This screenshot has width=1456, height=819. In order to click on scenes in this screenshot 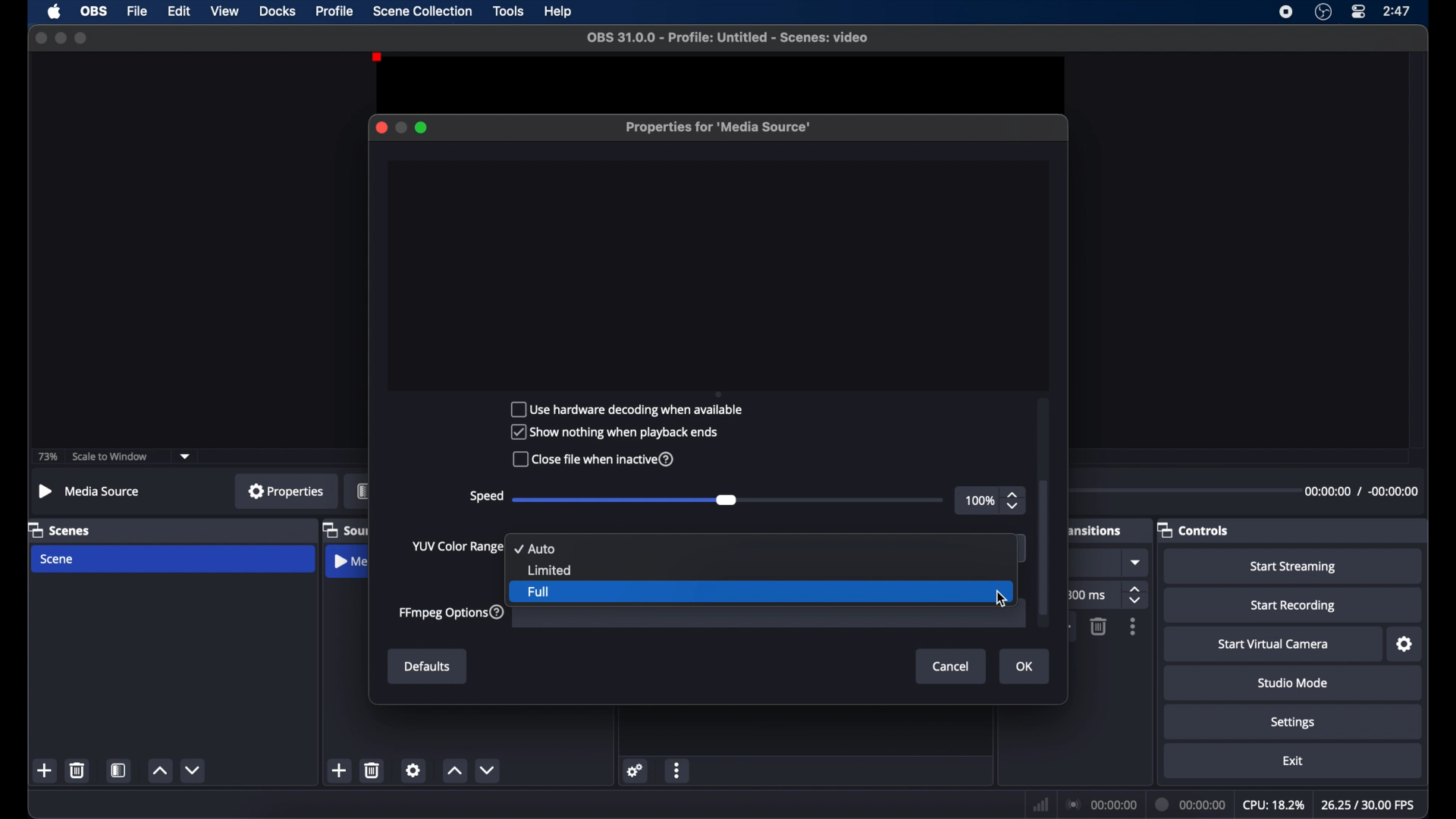, I will do `click(59, 531)`.